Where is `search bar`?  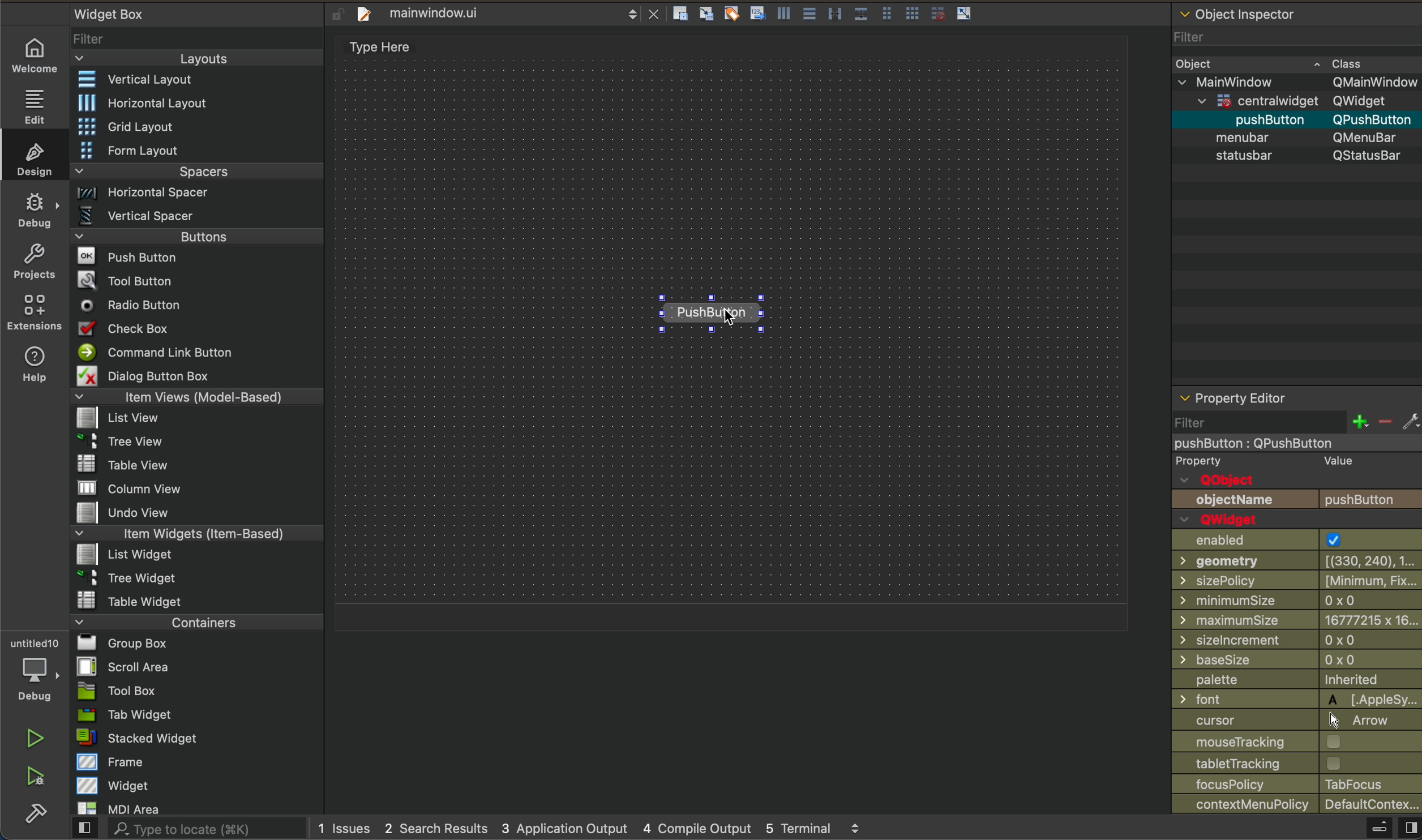 search bar is located at coordinates (188, 830).